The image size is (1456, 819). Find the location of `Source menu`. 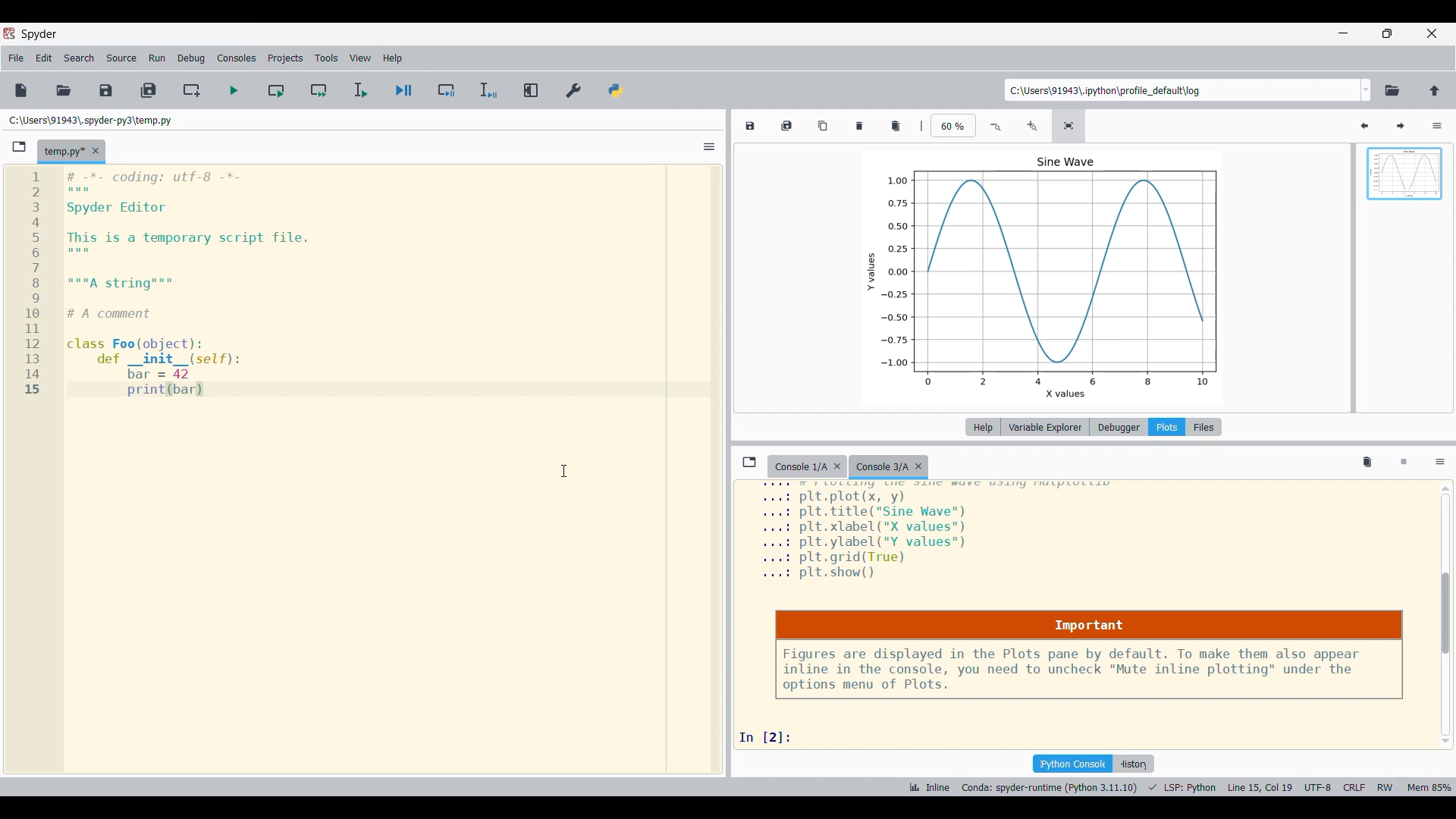

Source menu is located at coordinates (121, 58).